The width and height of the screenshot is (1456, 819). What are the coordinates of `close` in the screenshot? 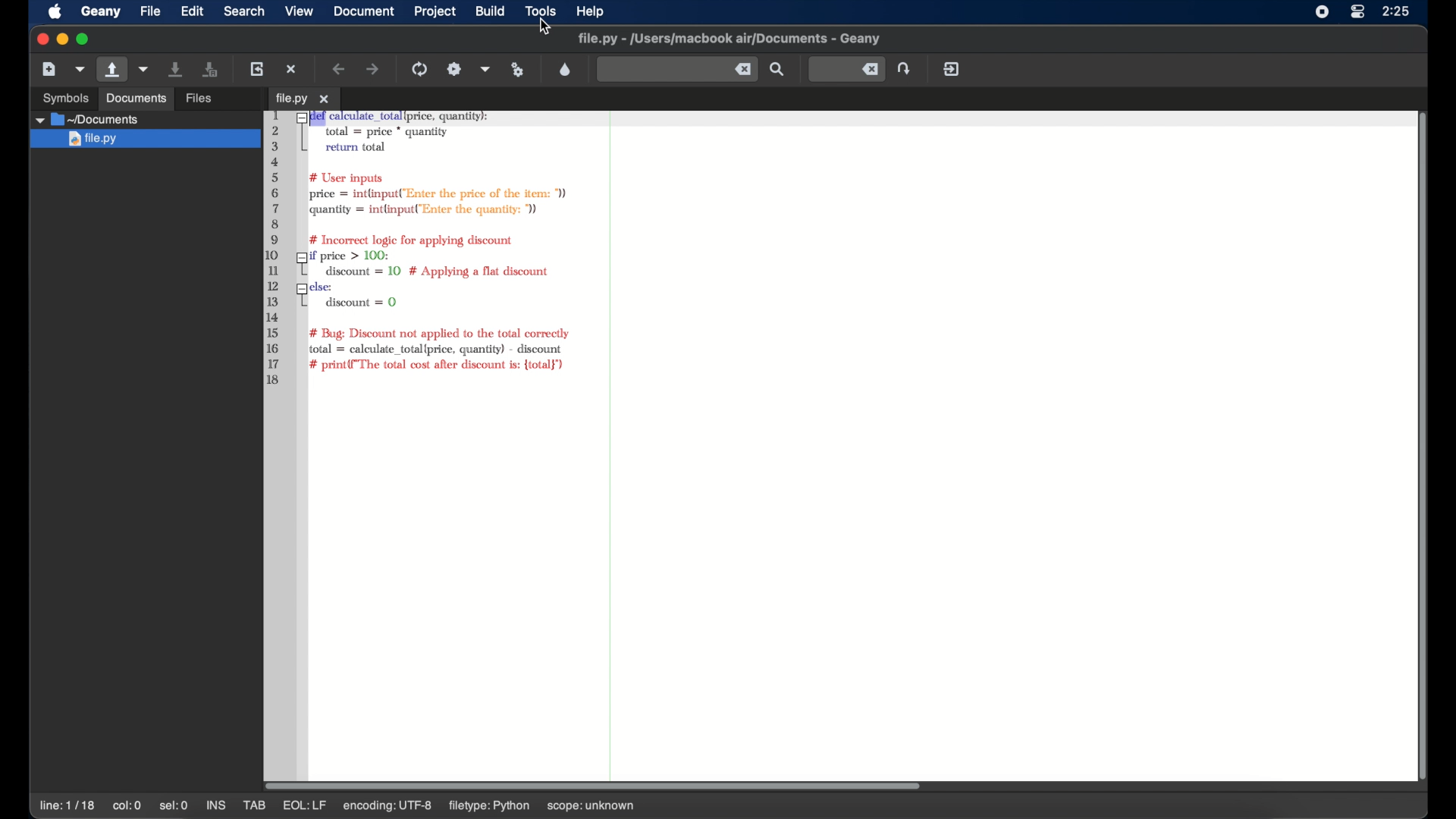 It's located at (40, 39).